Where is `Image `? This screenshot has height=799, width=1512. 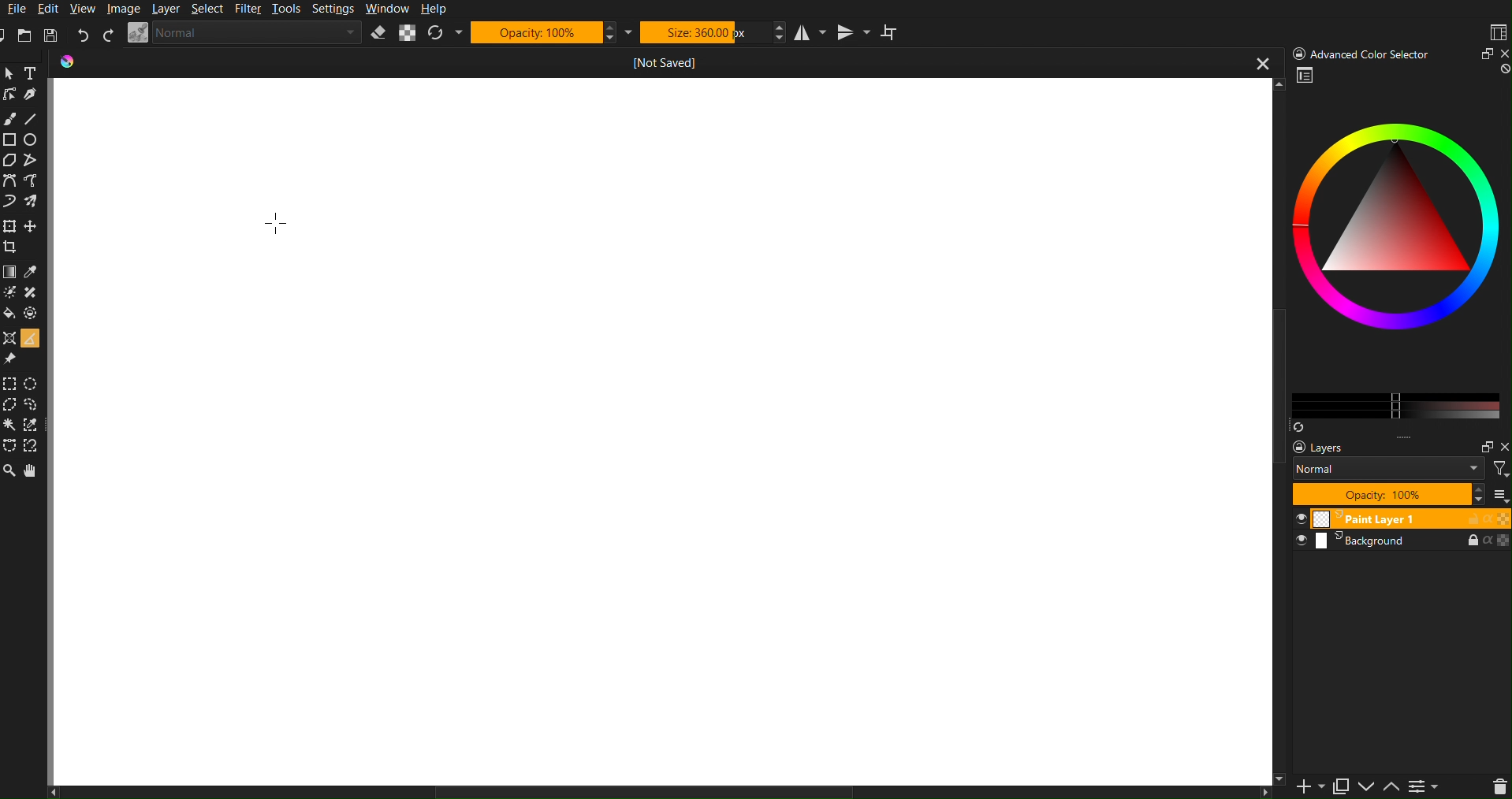 Image  is located at coordinates (122, 9).